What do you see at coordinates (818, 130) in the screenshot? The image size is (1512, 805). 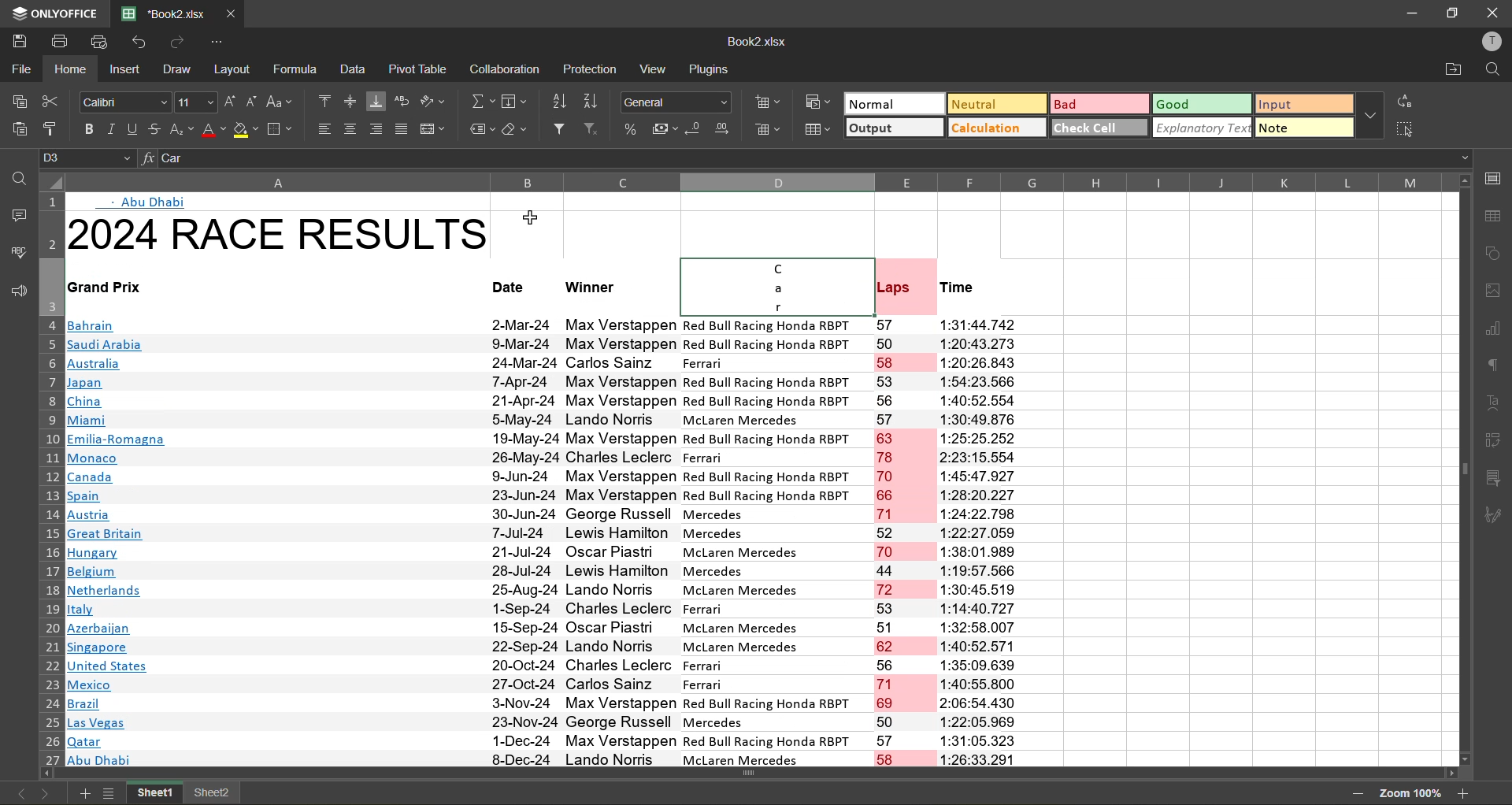 I see `format as table` at bounding box center [818, 130].